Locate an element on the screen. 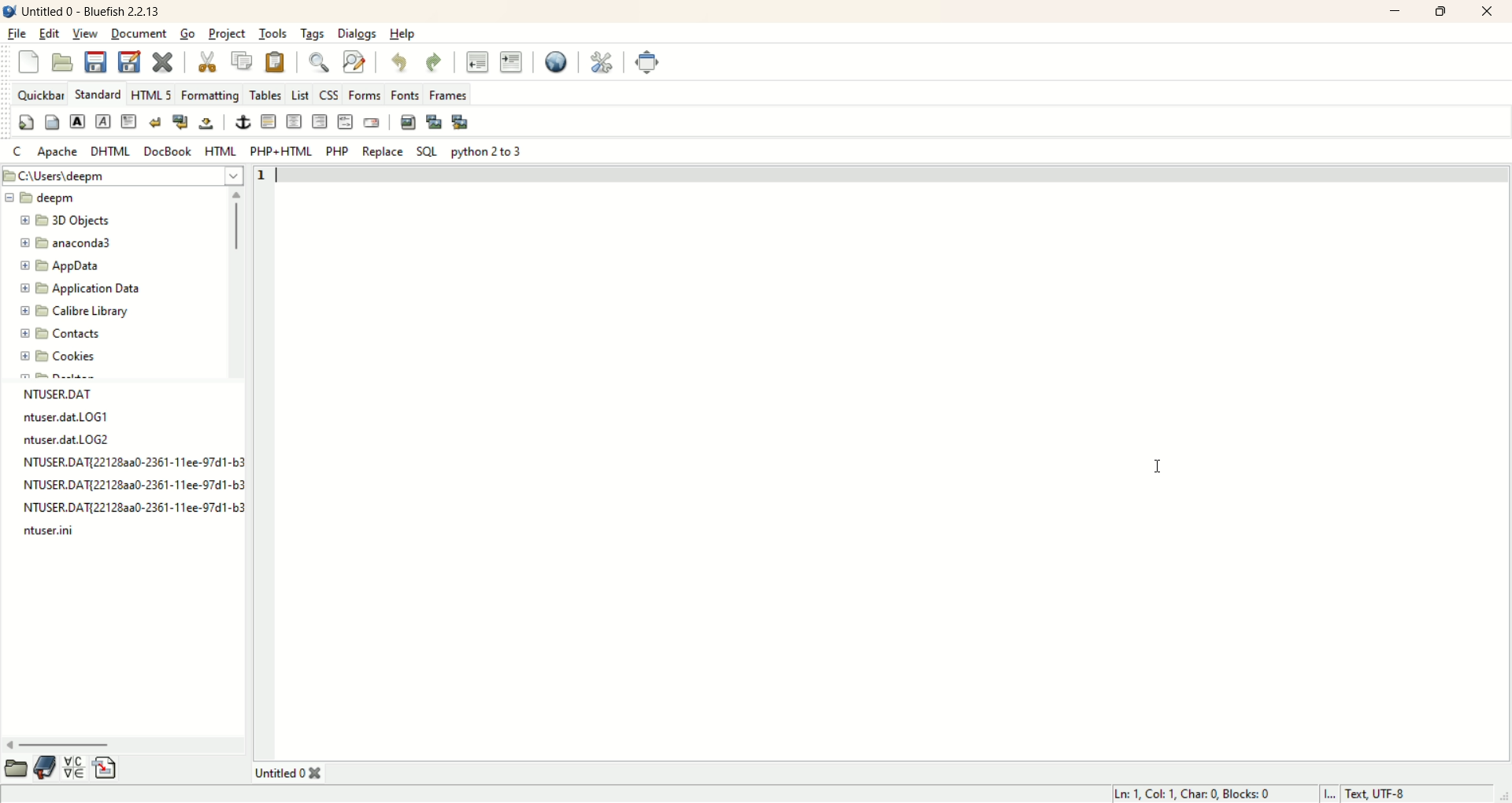 The height and width of the screenshot is (803, 1512). multi-thumbnail is located at coordinates (464, 121).